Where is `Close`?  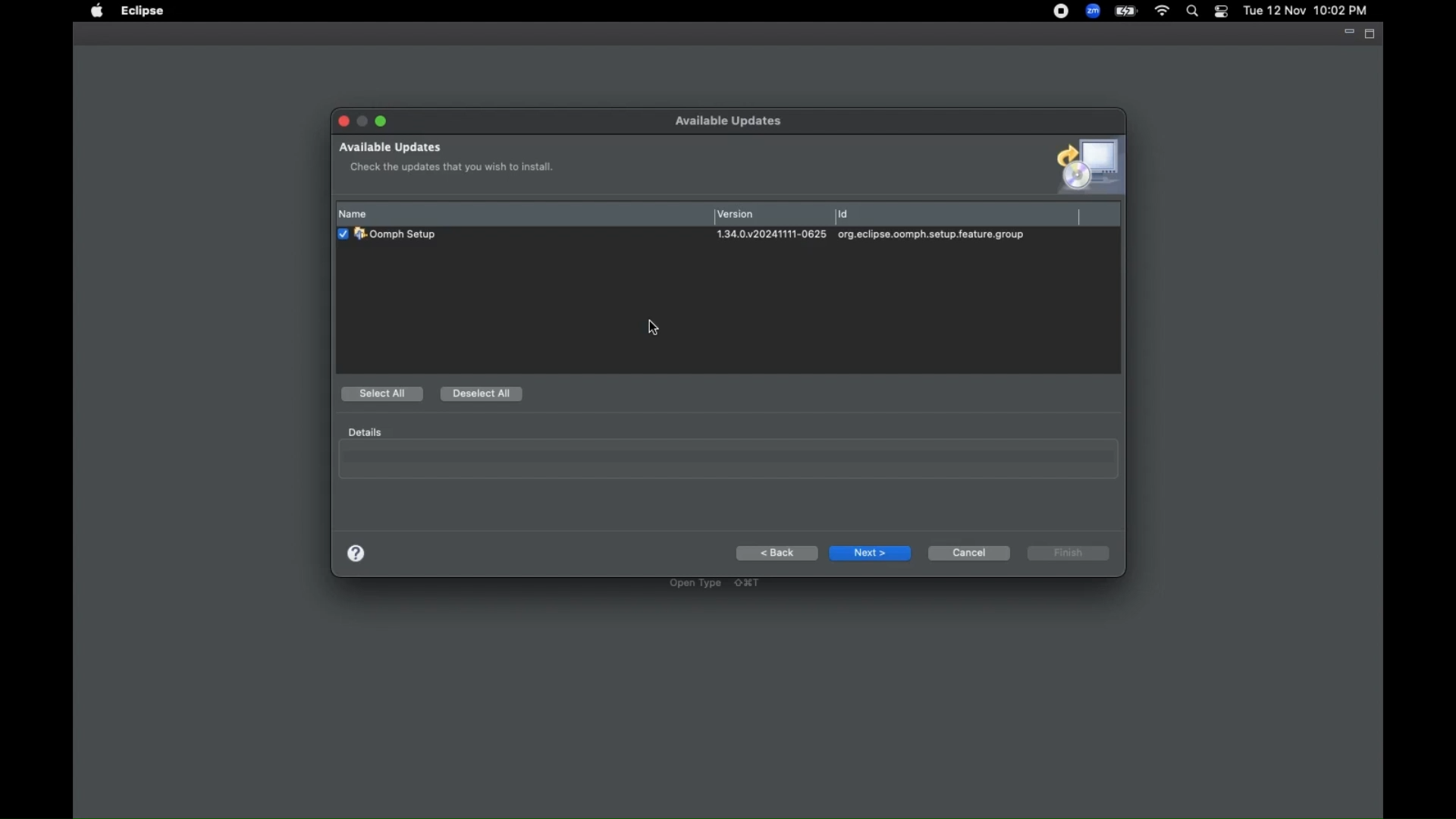 Close is located at coordinates (344, 121).